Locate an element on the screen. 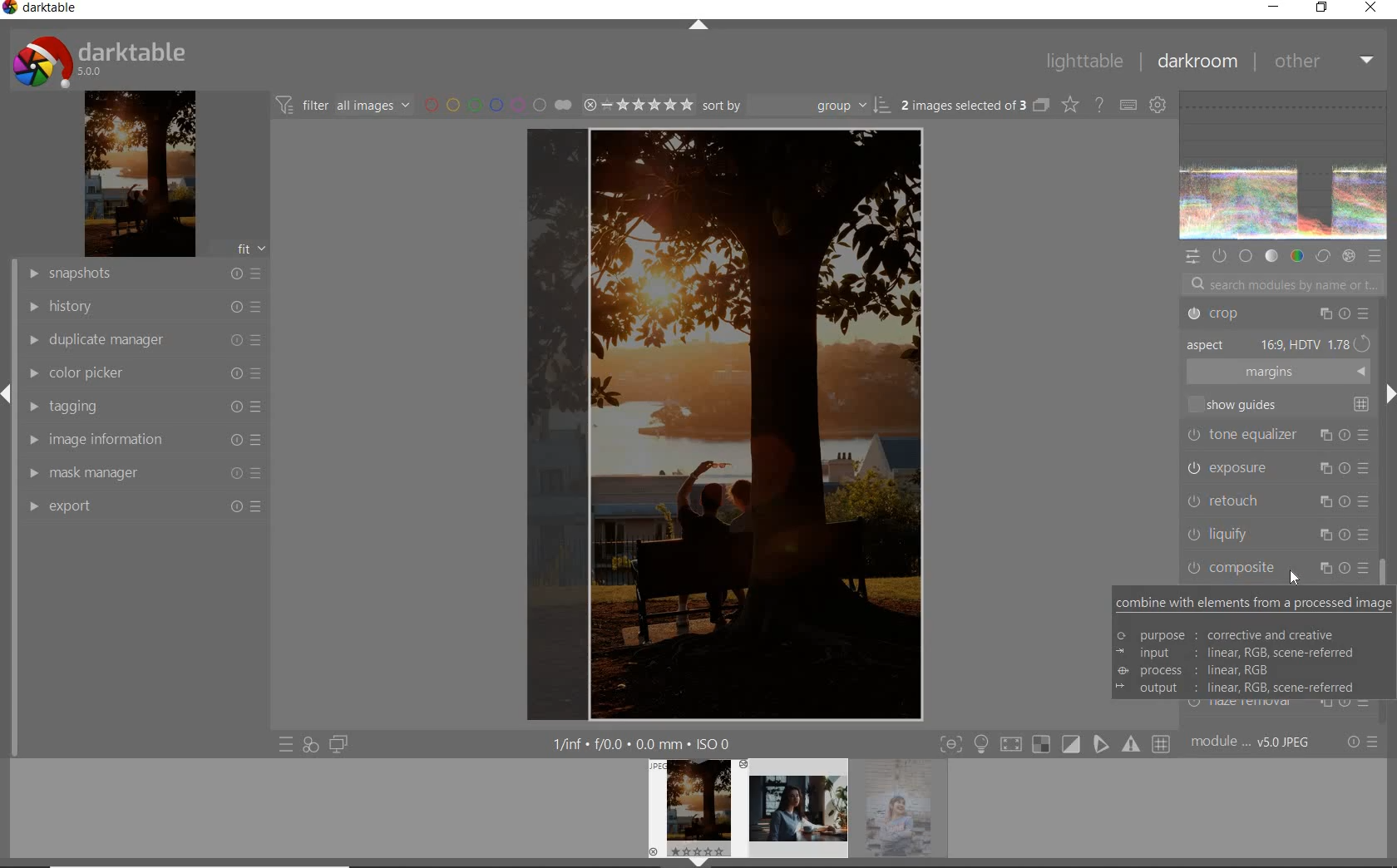  effect  is located at coordinates (1349, 257).